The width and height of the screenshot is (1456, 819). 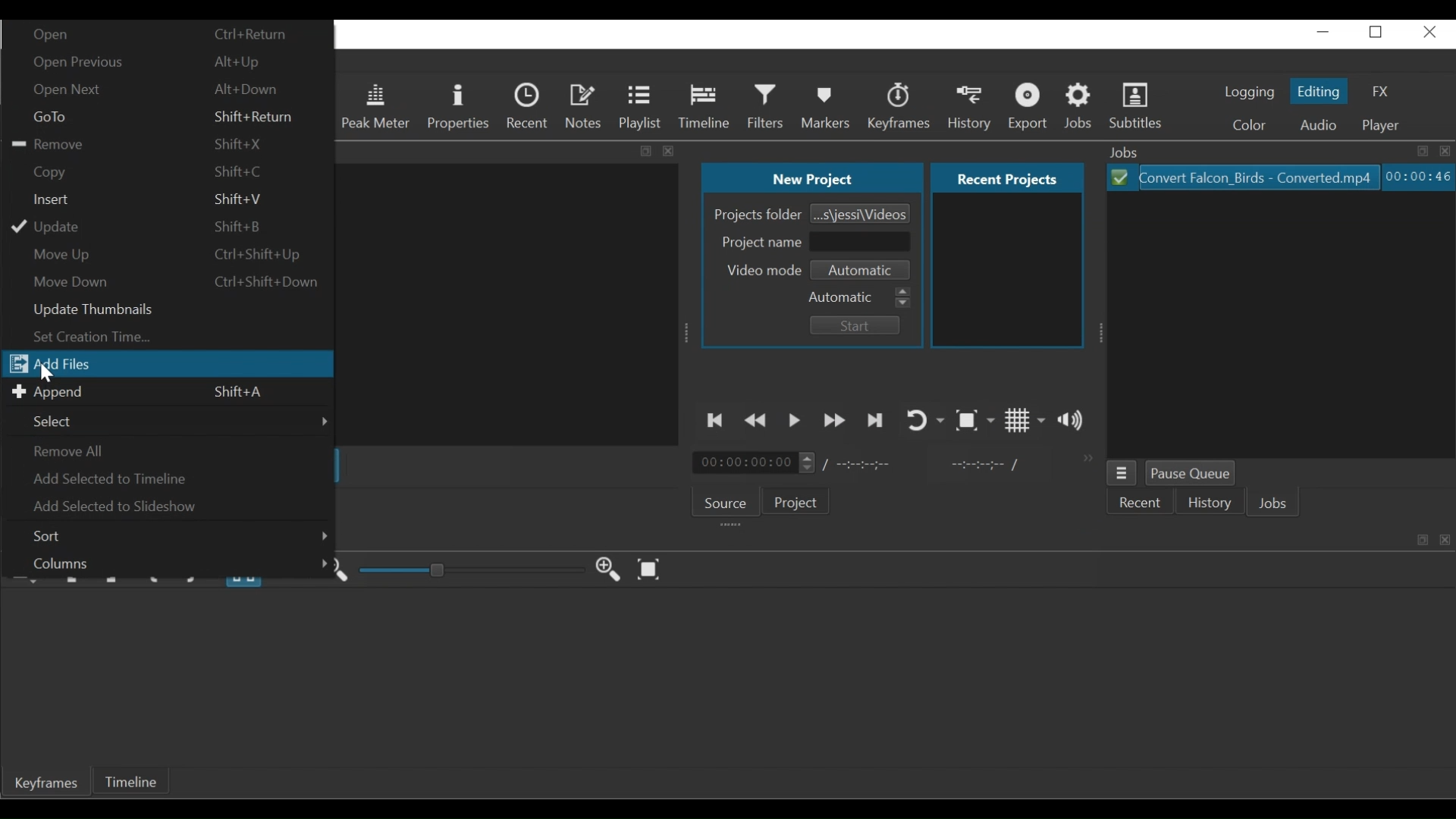 I want to click on Insert, so click(x=169, y=199).